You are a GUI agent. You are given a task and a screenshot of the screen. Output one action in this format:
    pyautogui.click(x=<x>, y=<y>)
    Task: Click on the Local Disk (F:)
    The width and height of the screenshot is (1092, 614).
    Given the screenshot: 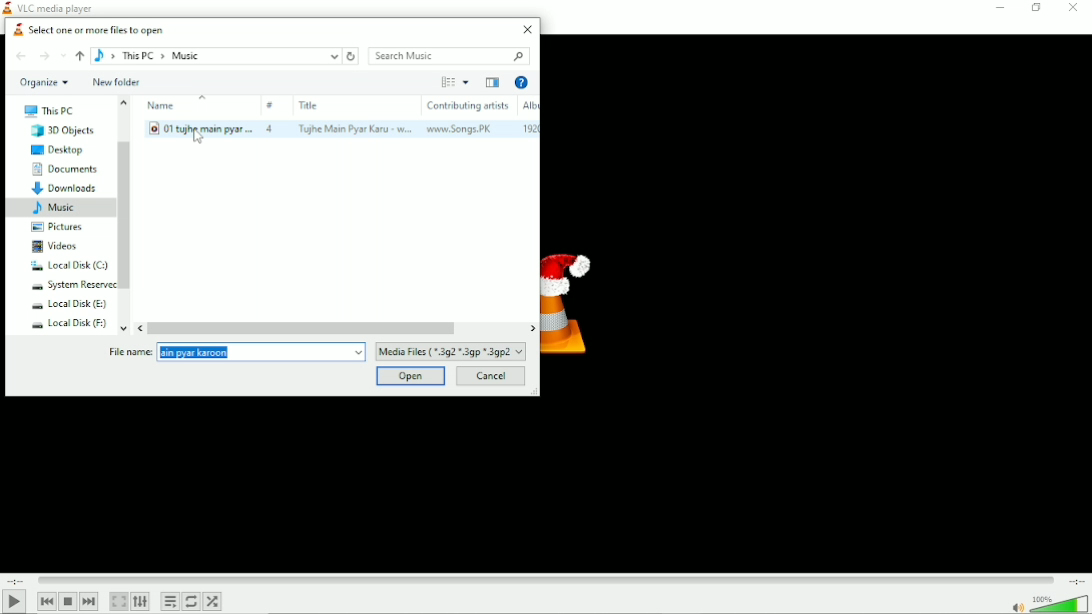 What is the action you would take?
    pyautogui.click(x=68, y=324)
    